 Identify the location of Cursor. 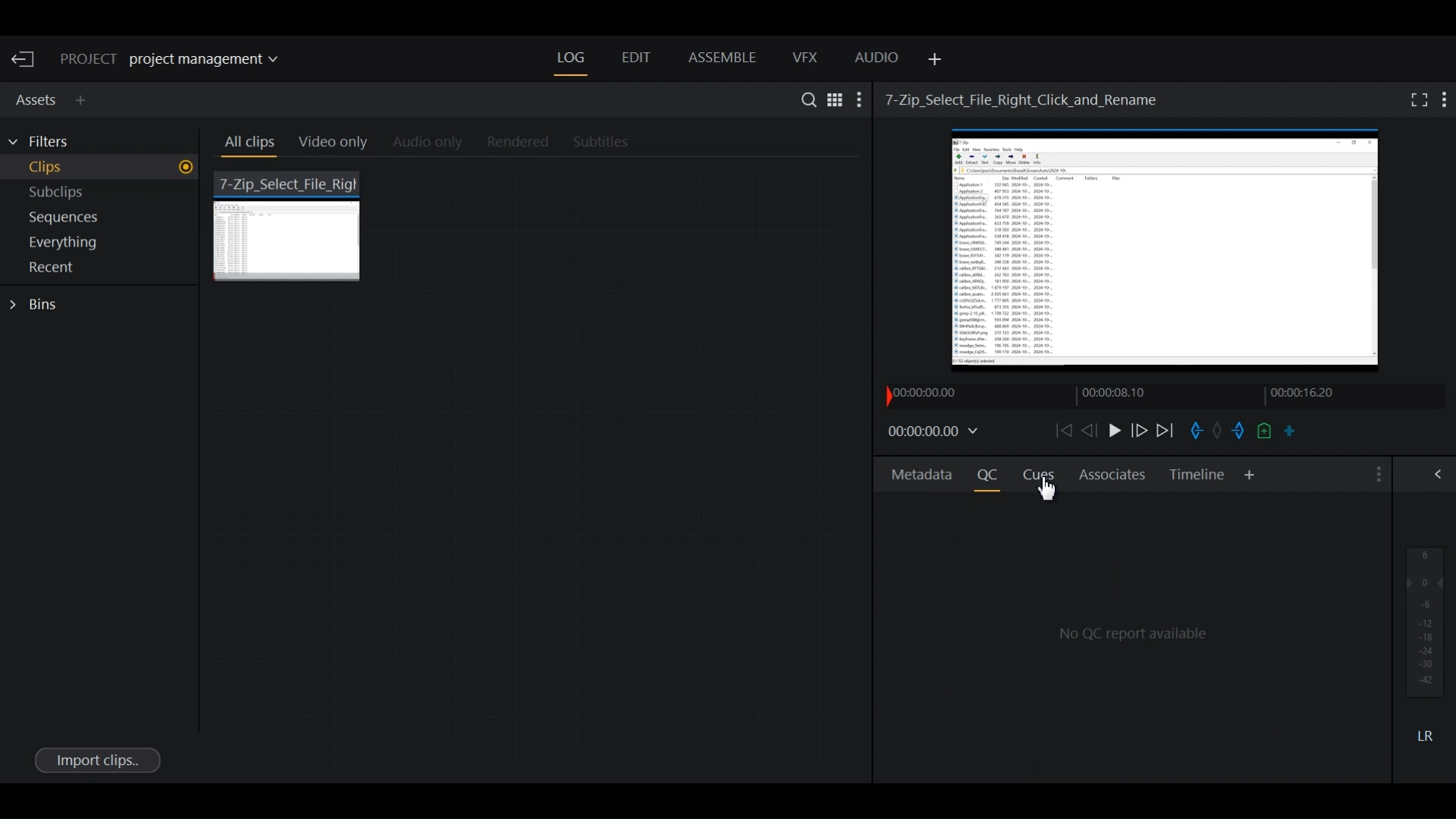
(1043, 491).